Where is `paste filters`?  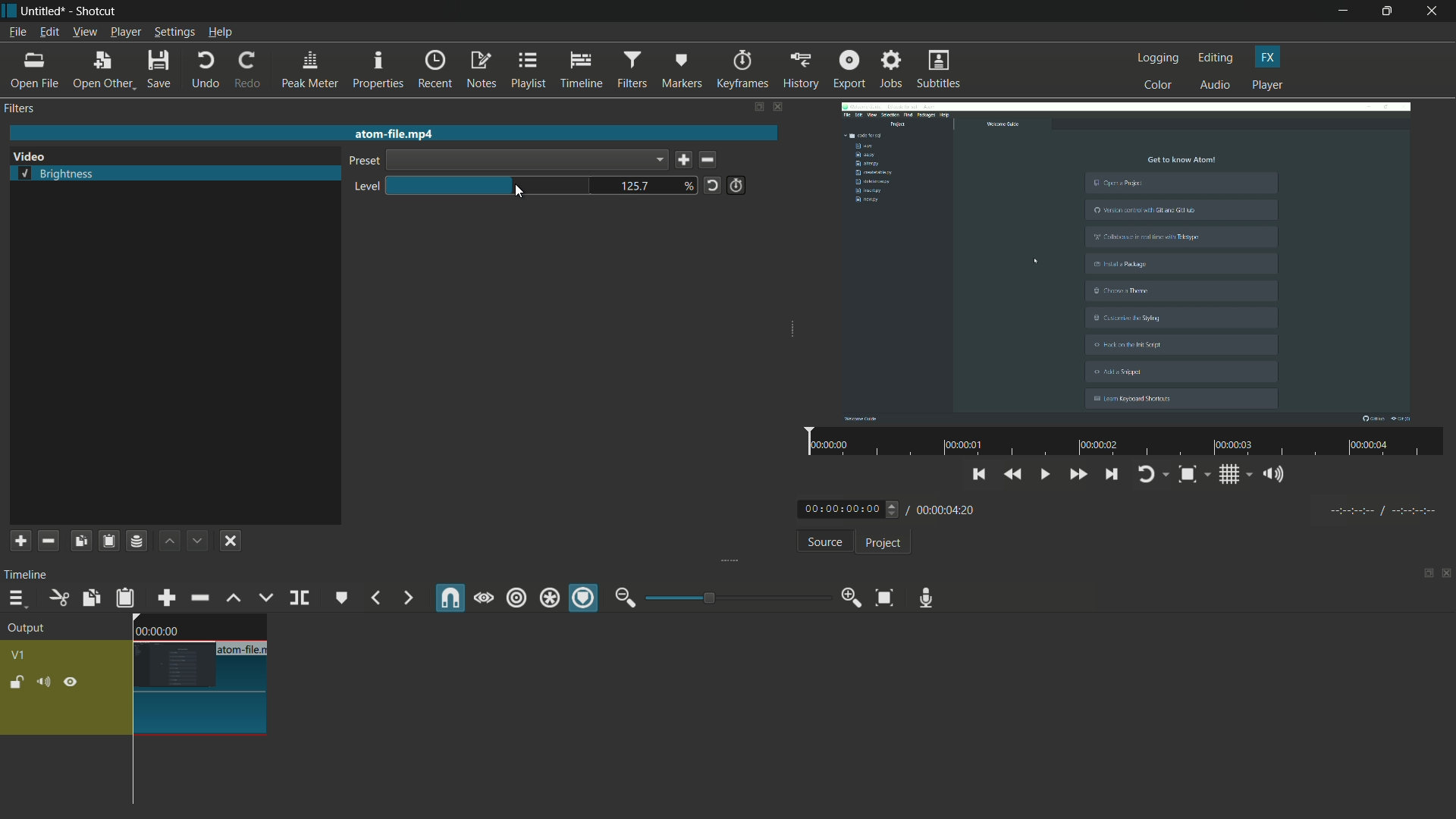
paste filters is located at coordinates (108, 541).